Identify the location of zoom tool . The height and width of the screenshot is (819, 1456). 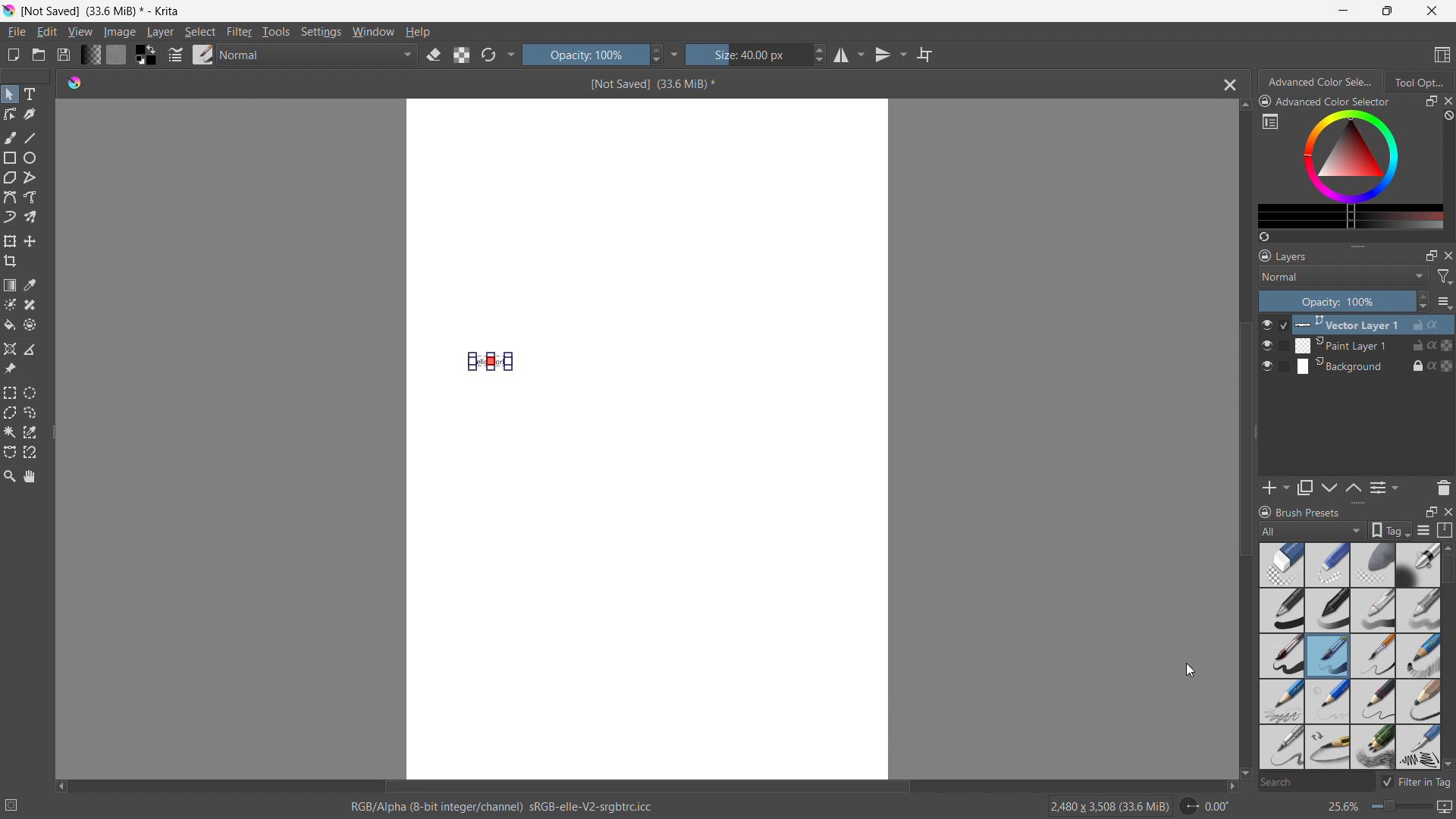
(9, 475).